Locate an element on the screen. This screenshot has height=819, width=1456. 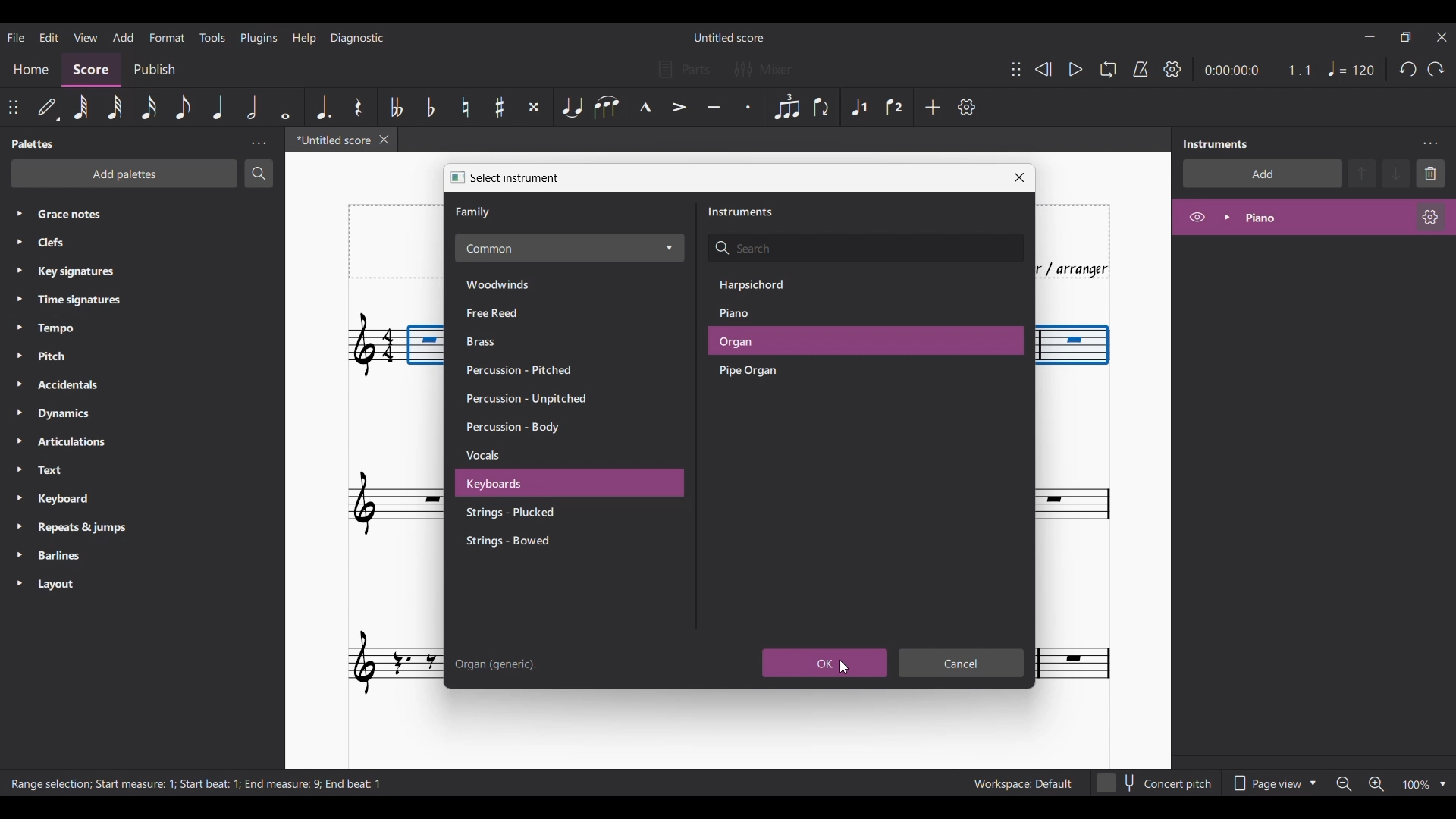
Flip direction is located at coordinates (821, 107).